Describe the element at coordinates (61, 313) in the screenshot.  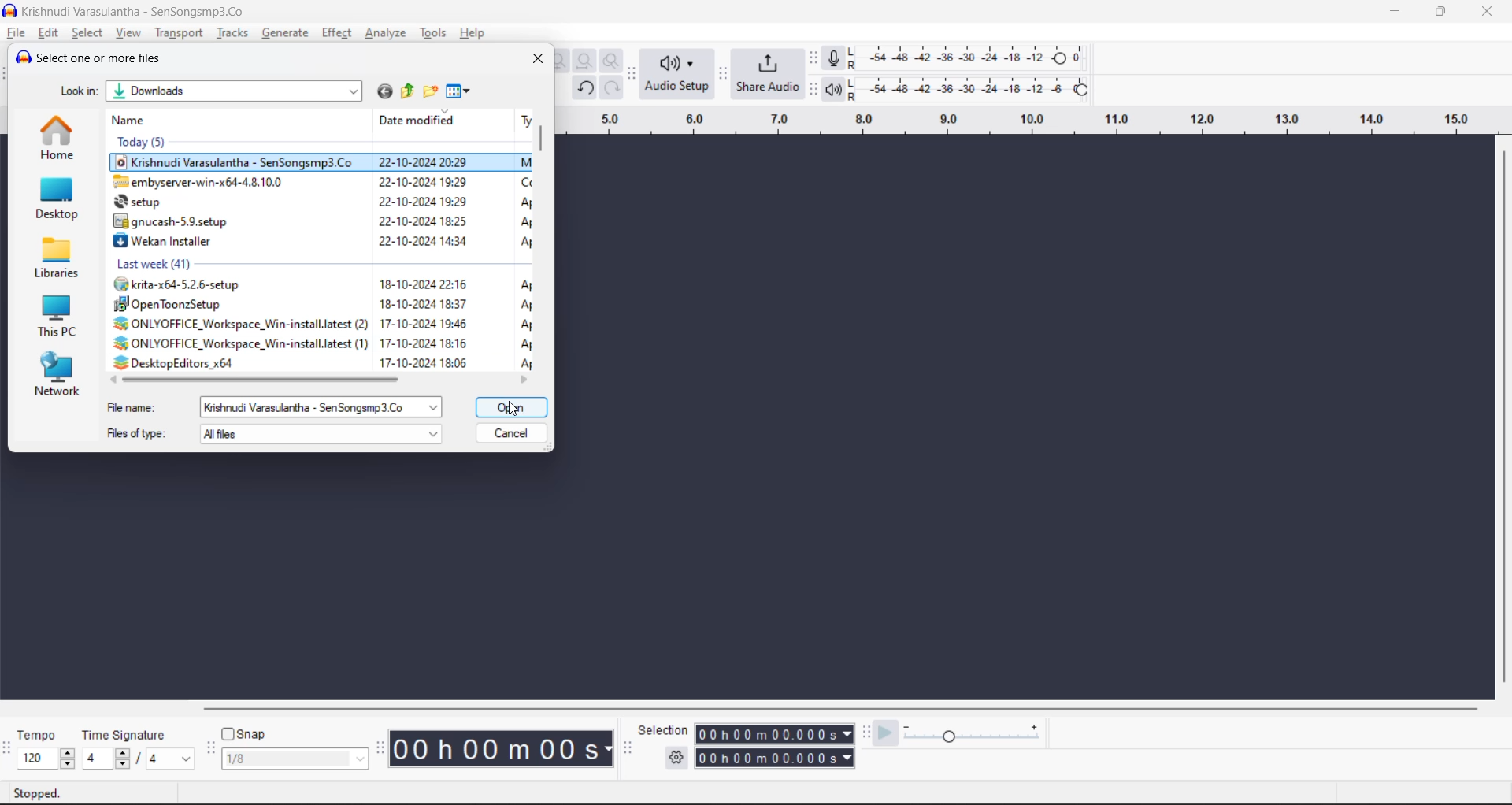
I see `this PC` at that location.